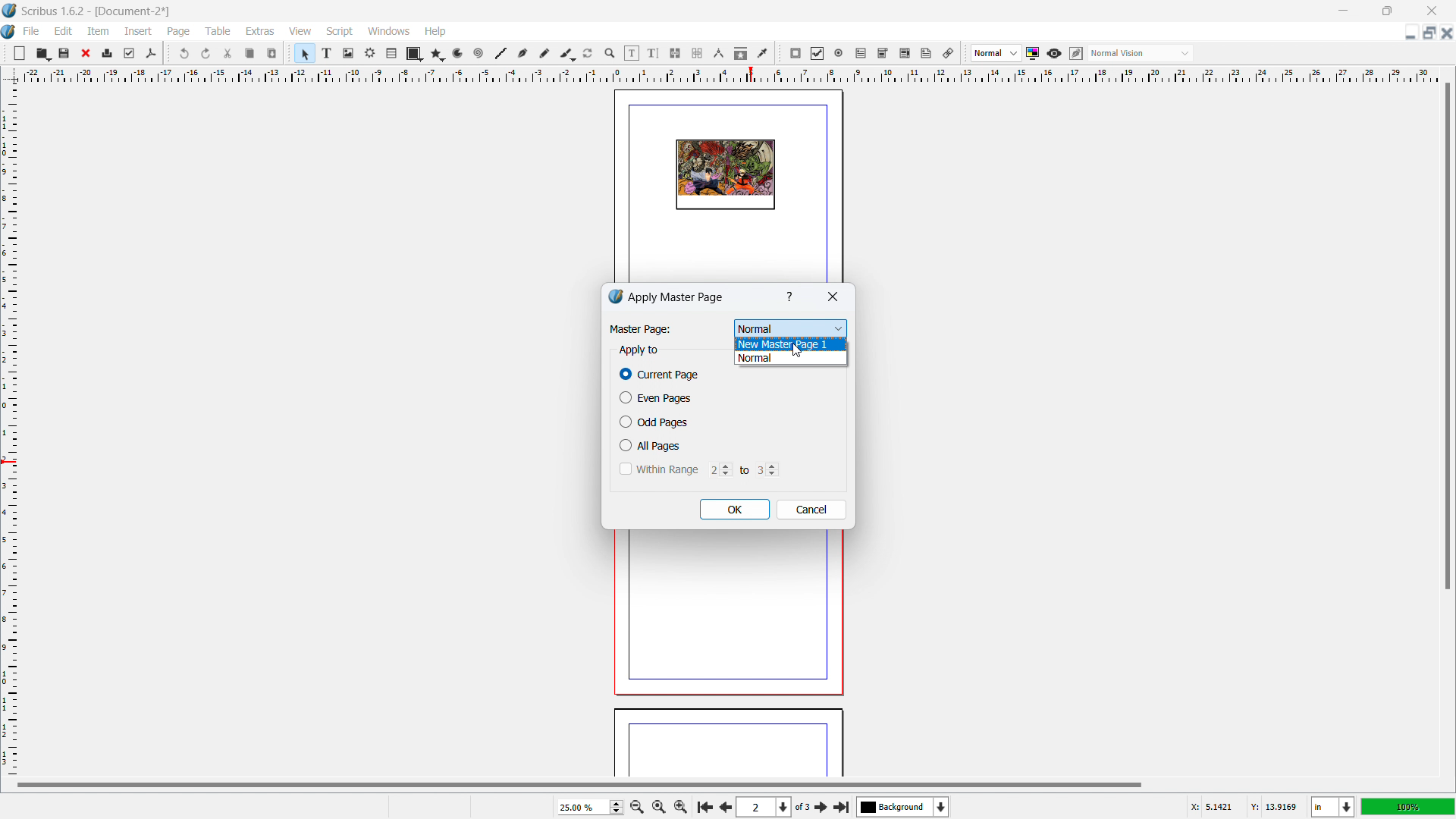 The image size is (1456, 819). I want to click on select visual appearance of the display, so click(1141, 53).